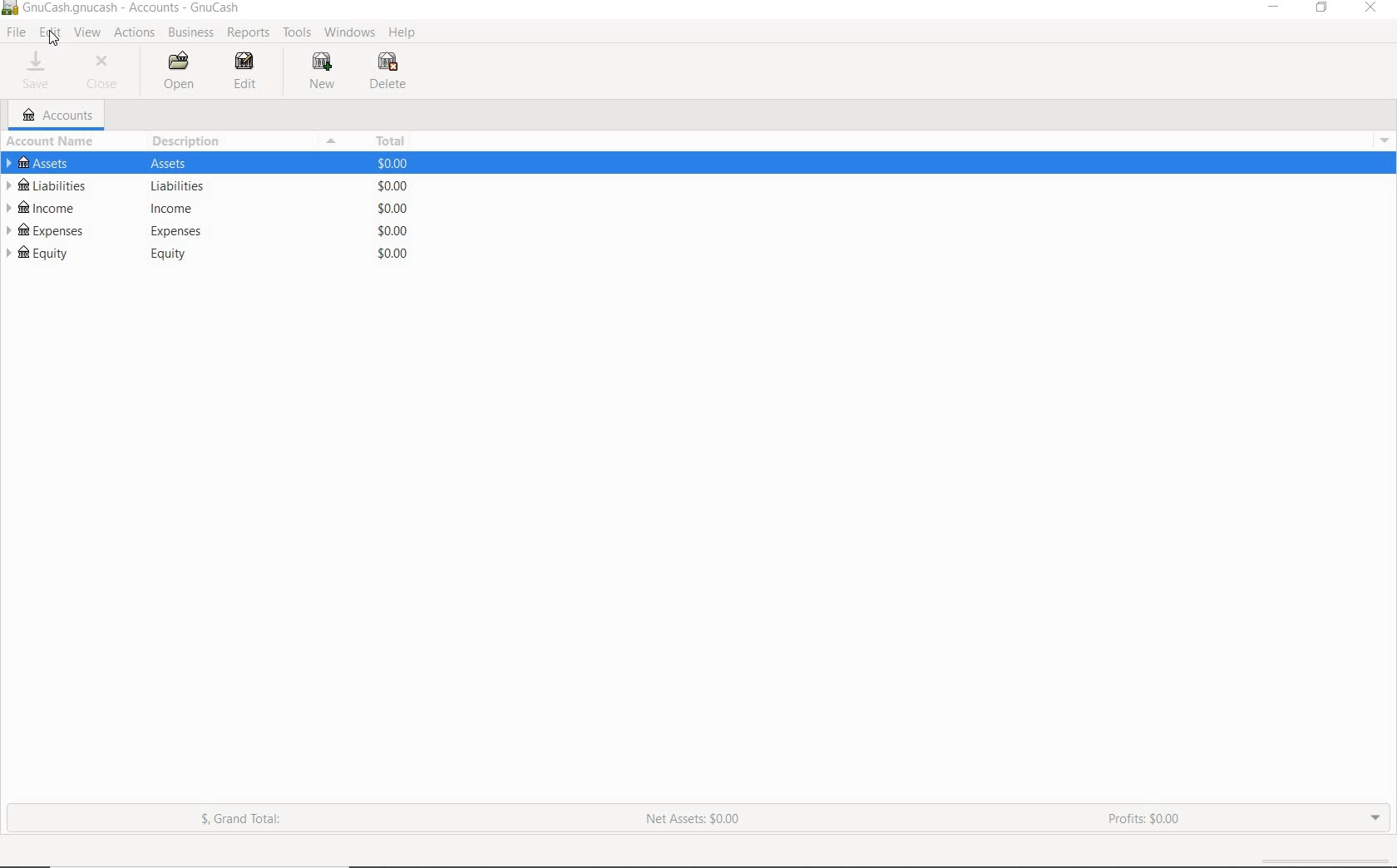  What do you see at coordinates (189, 32) in the screenshot?
I see `BUSINESS` at bounding box center [189, 32].